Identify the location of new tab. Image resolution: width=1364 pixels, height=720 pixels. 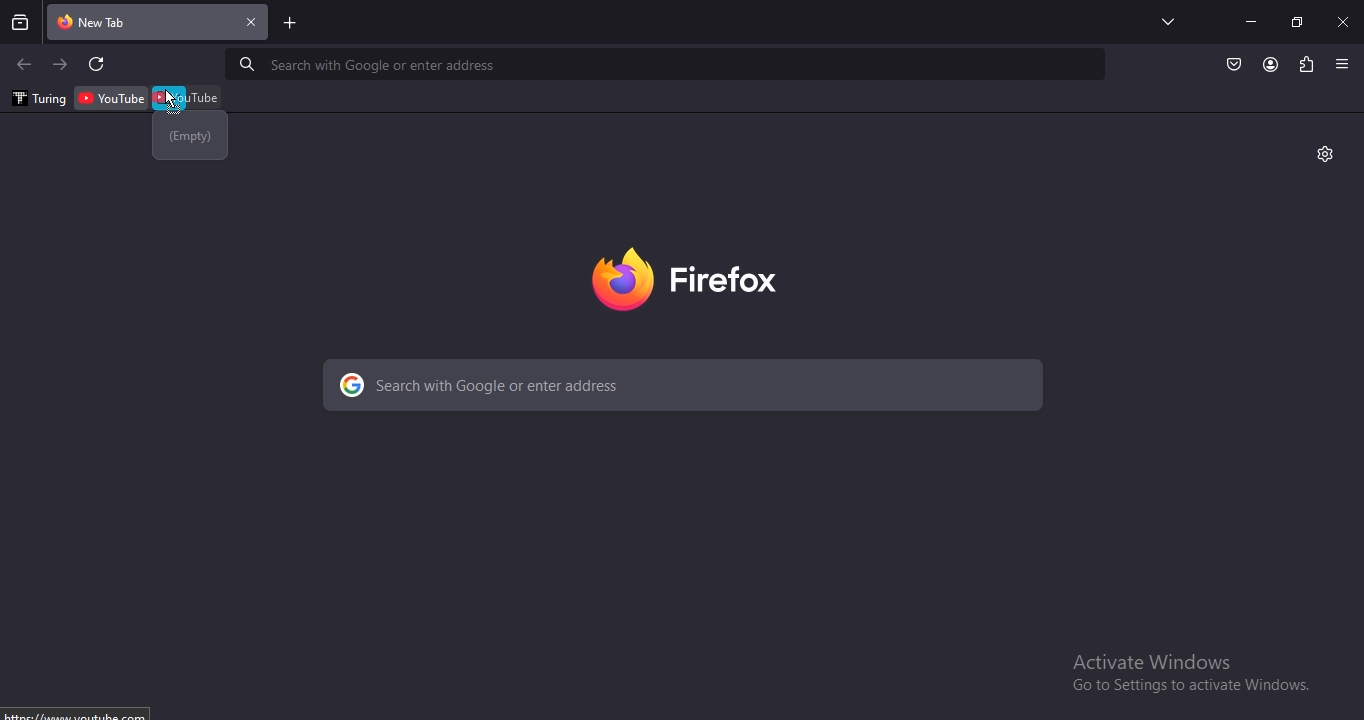
(291, 25).